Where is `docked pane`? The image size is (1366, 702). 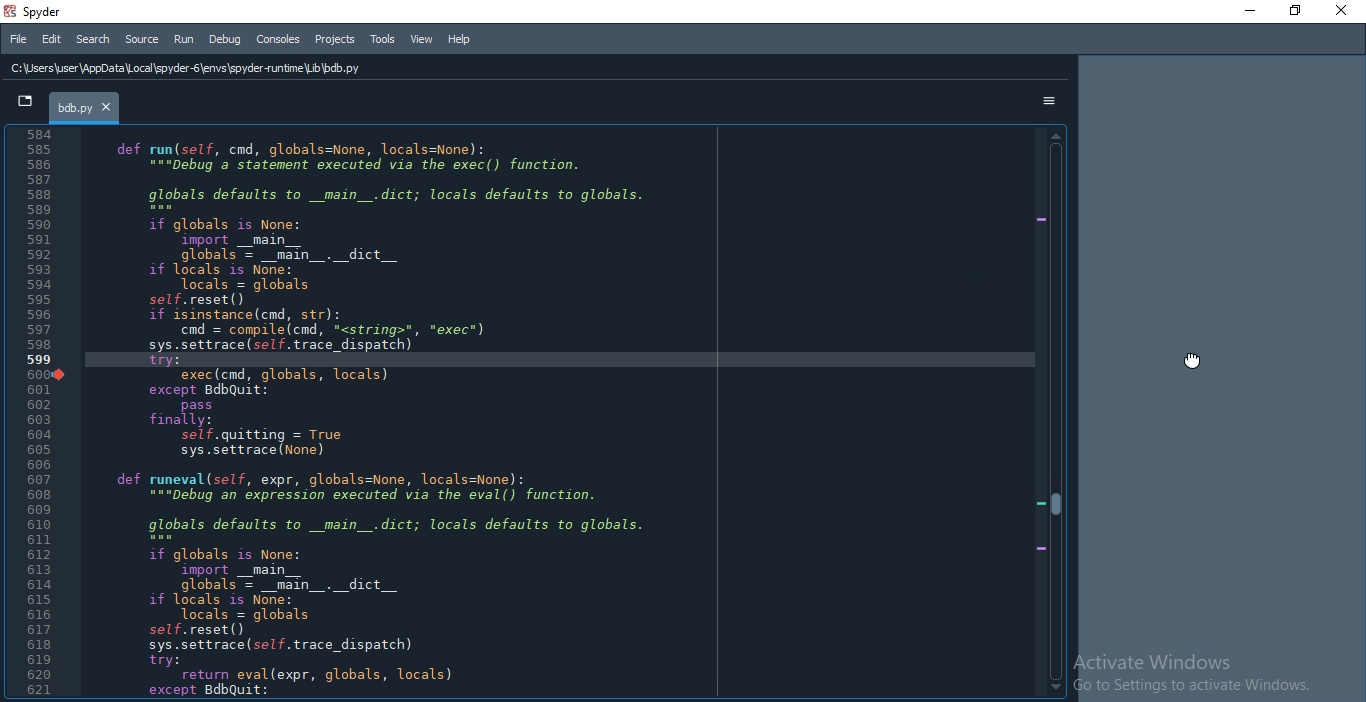
docked pane is located at coordinates (1218, 379).